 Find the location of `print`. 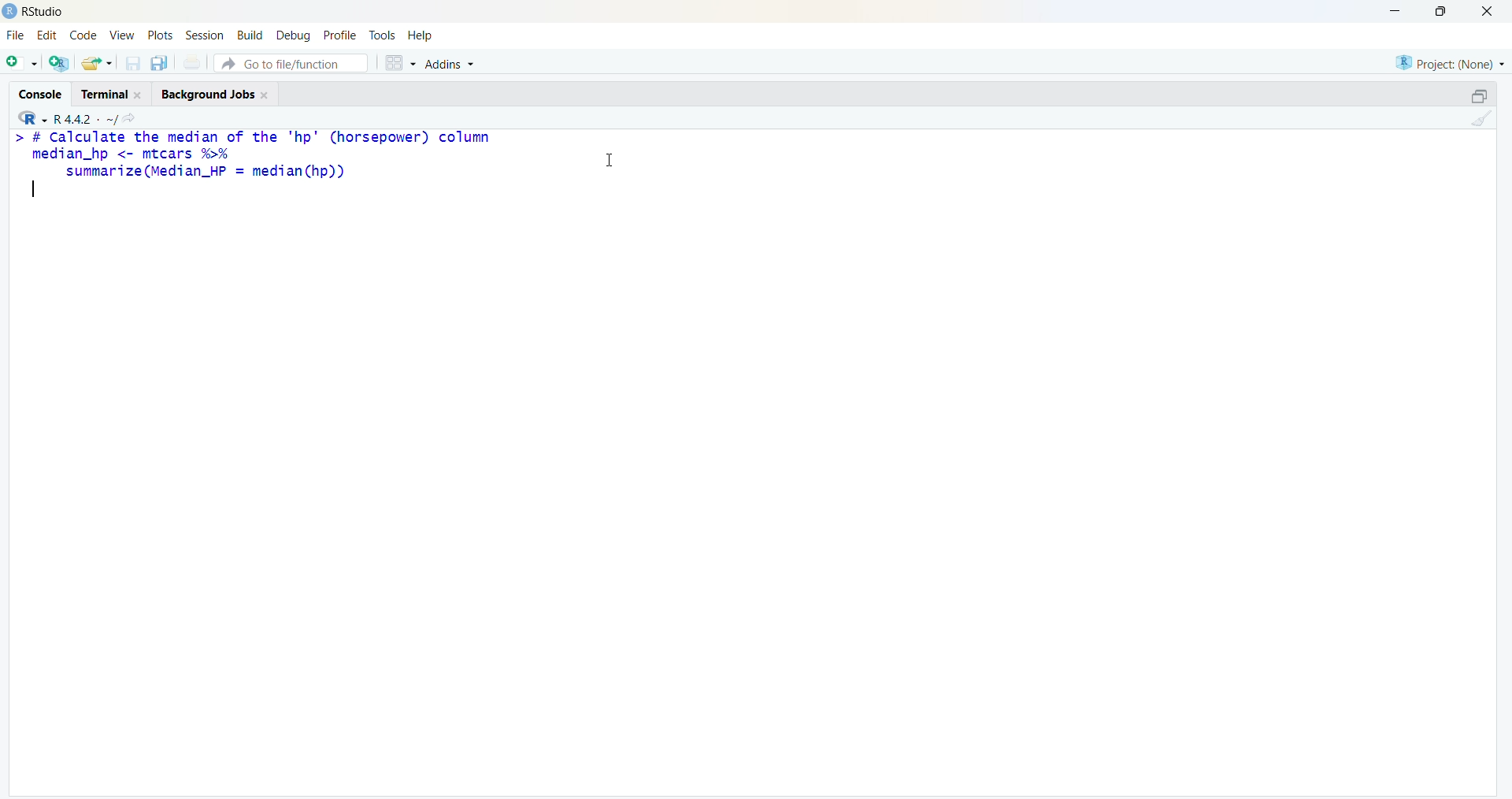

print is located at coordinates (192, 63).